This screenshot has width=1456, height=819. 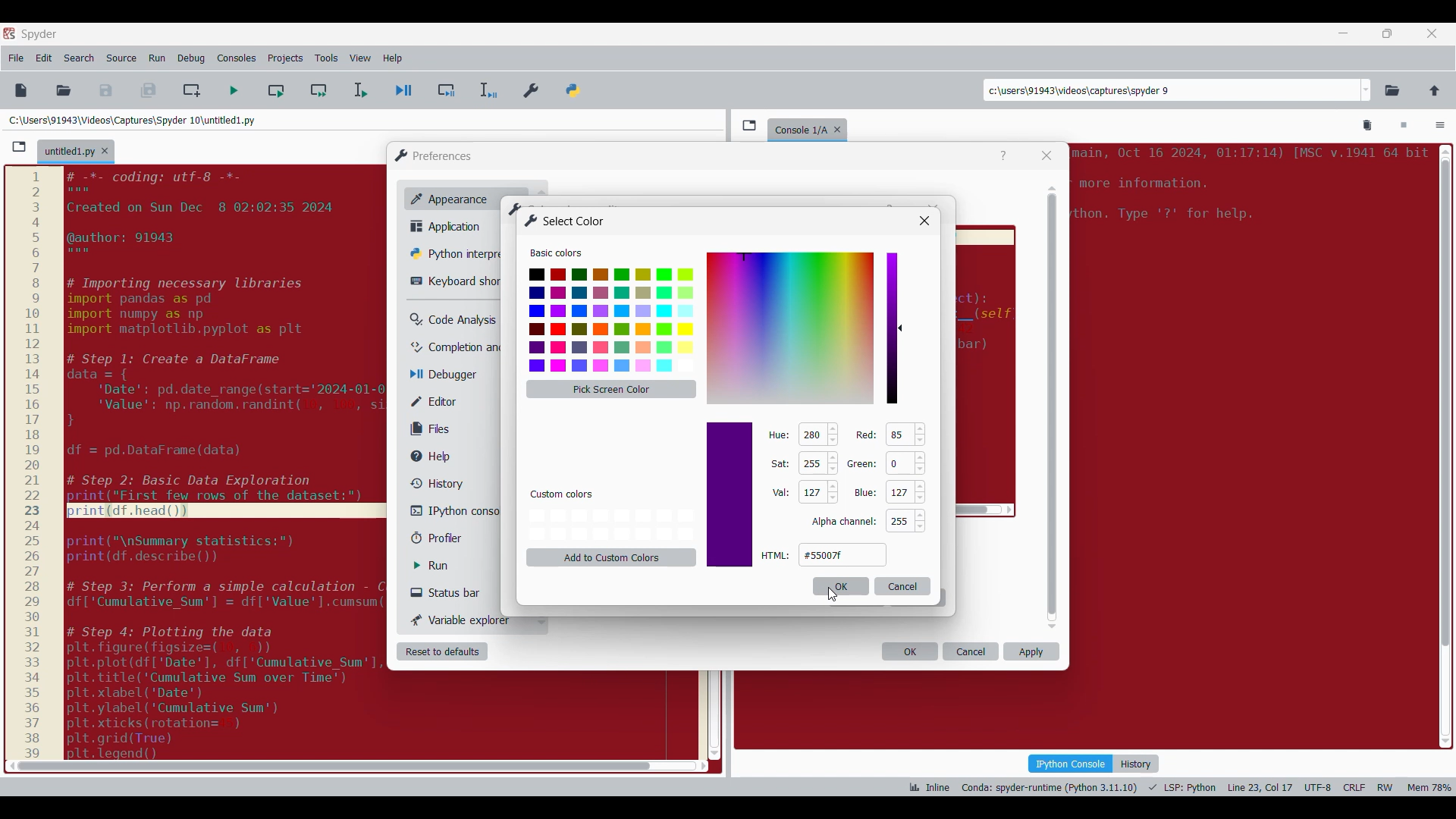 I want to click on Profiler, so click(x=450, y=538).